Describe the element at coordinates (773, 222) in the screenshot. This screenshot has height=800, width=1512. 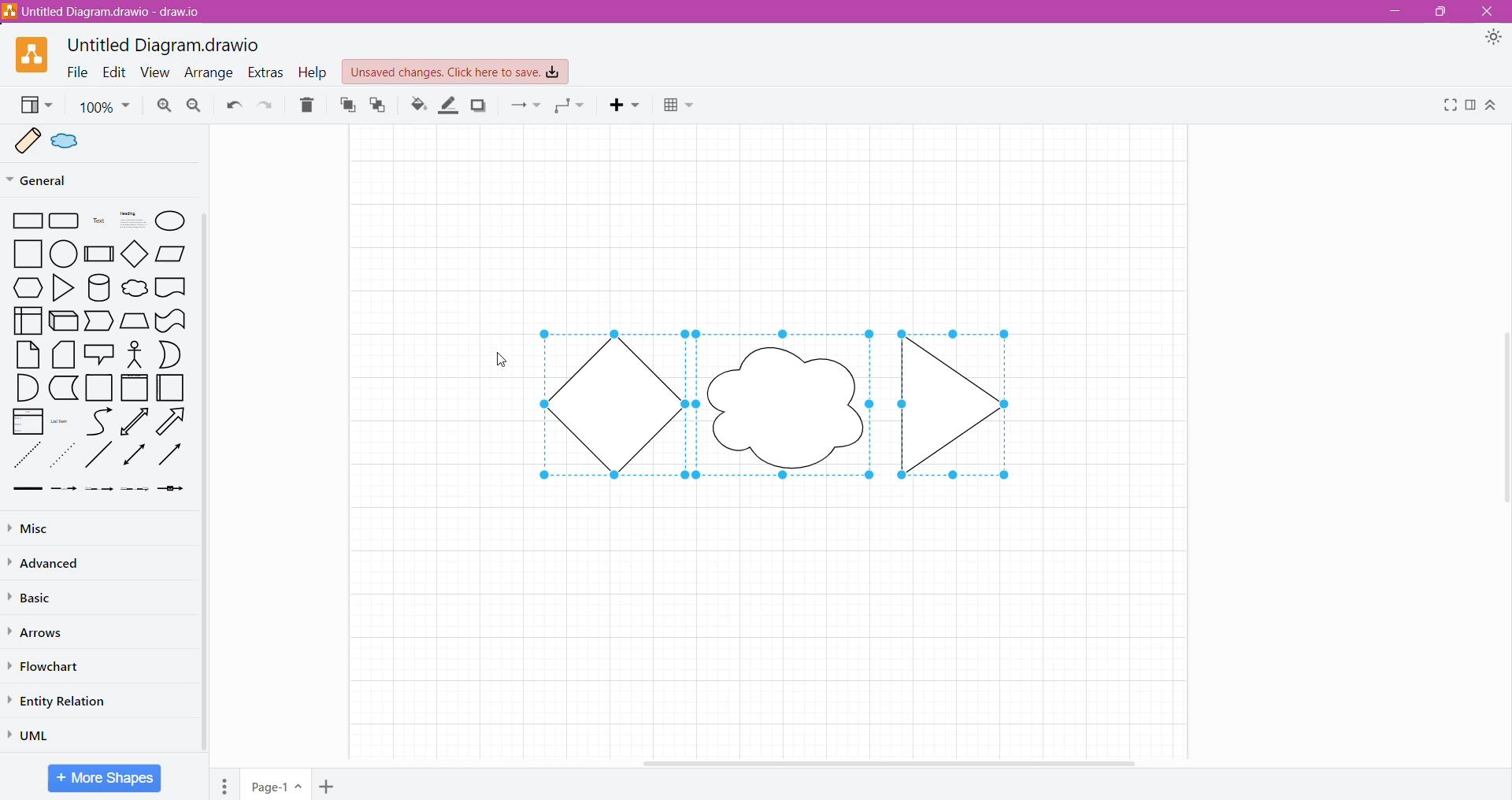
I see `Canvas area` at that location.